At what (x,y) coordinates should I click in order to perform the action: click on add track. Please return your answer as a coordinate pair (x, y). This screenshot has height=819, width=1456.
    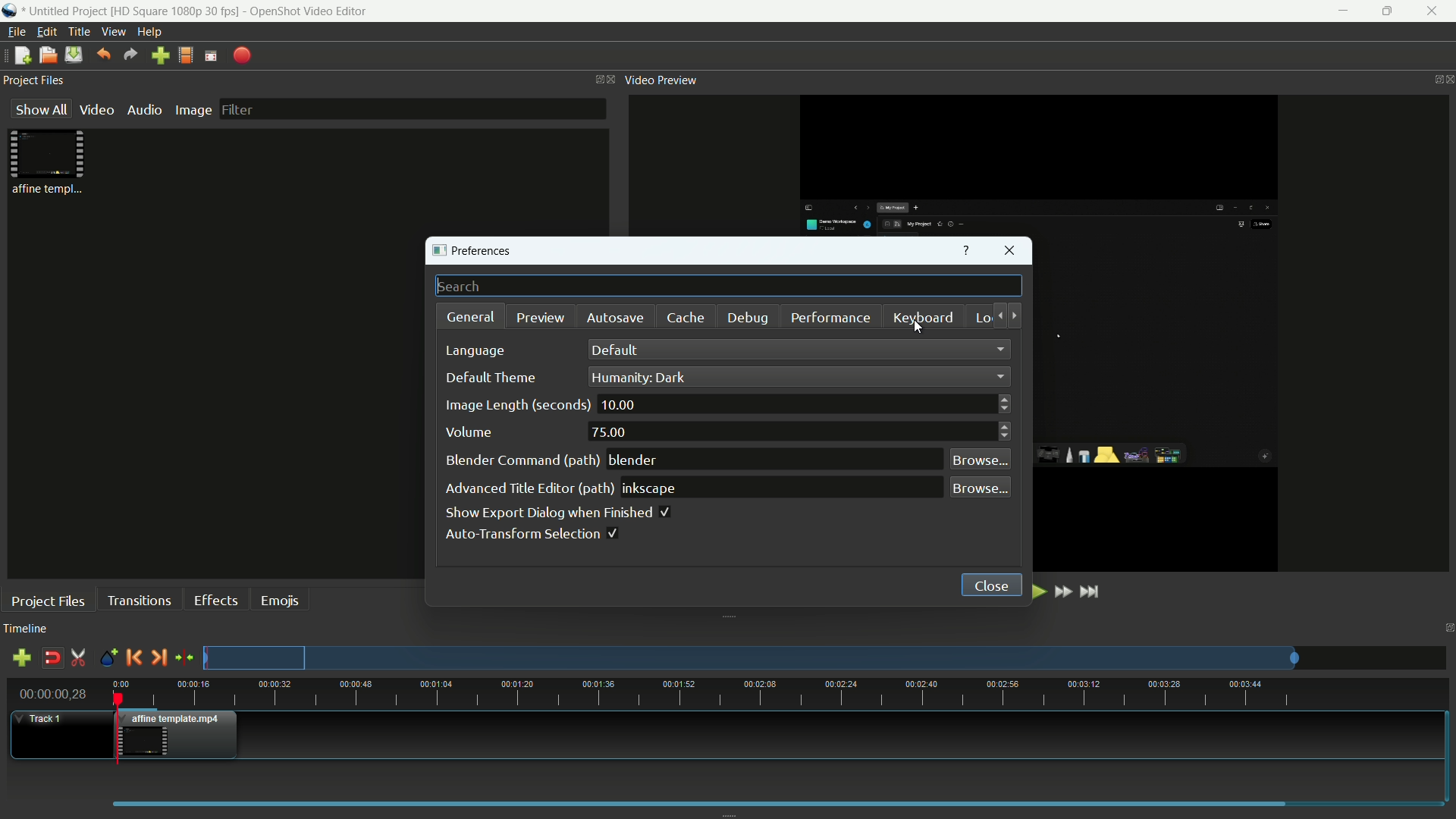
    Looking at the image, I should click on (21, 660).